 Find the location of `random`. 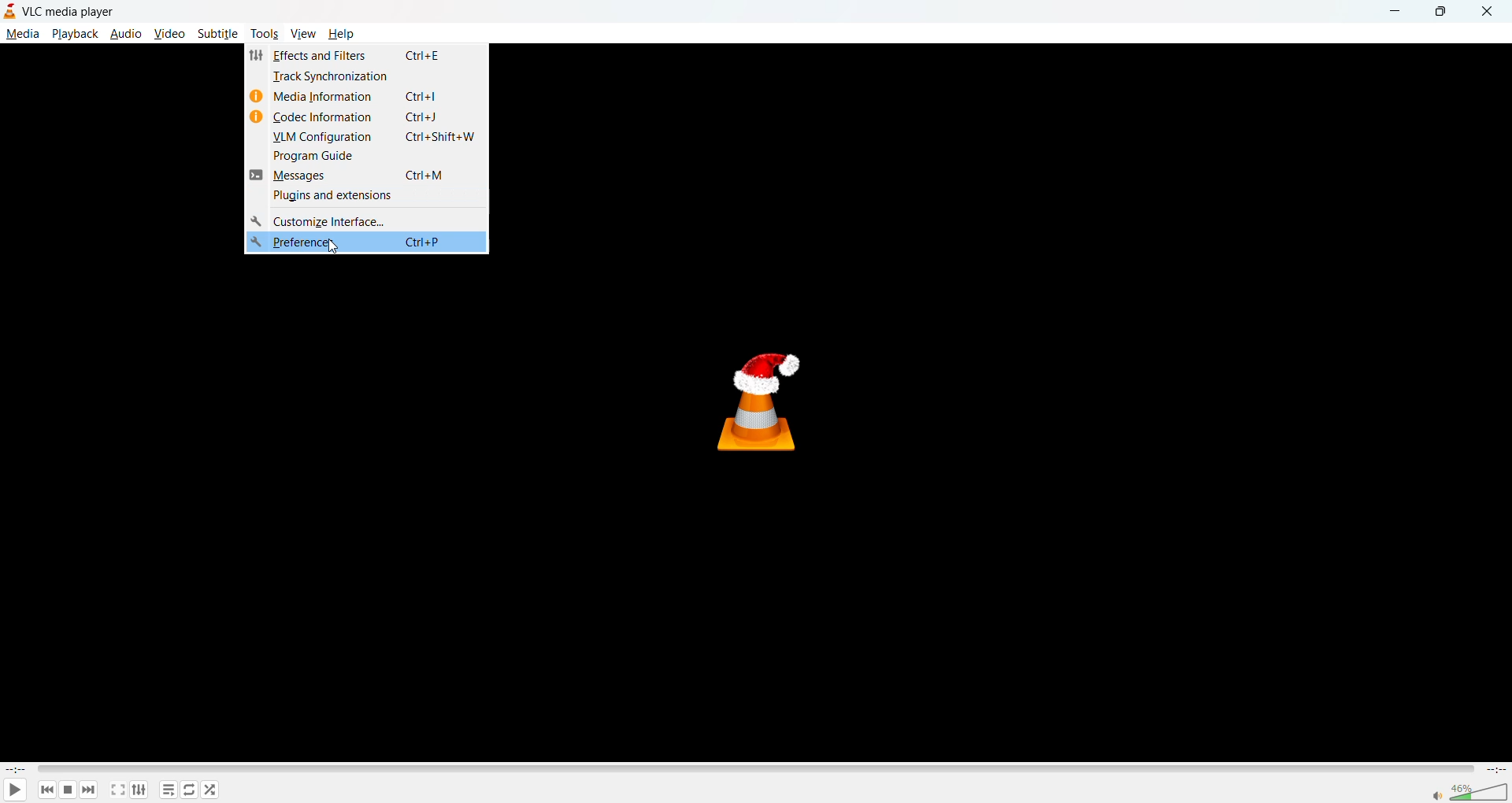

random is located at coordinates (208, 788).